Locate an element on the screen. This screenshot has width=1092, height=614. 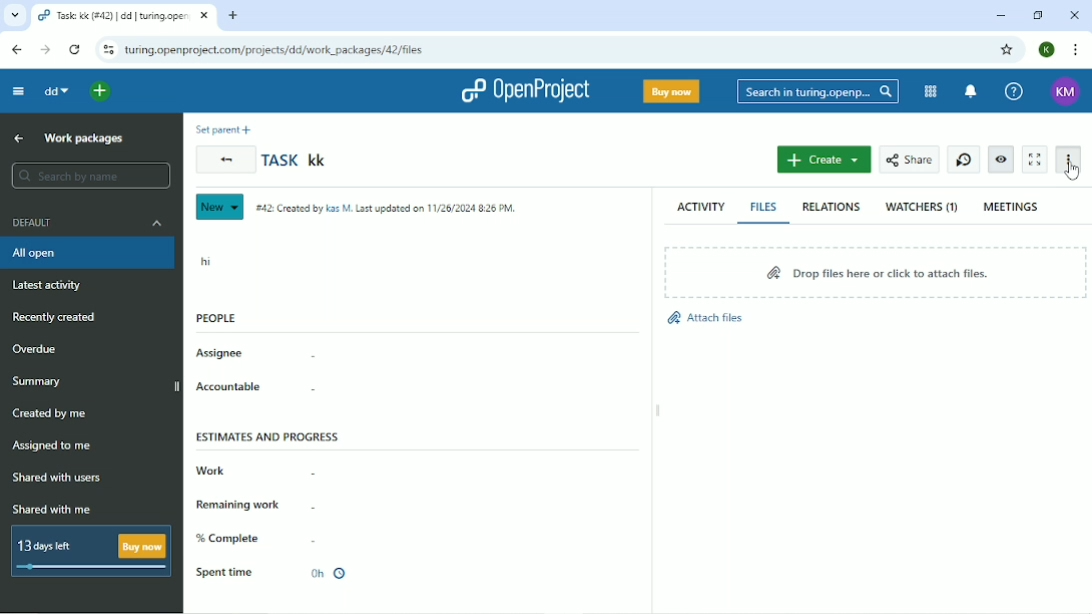
Close is located at coordinates (1073, 14).